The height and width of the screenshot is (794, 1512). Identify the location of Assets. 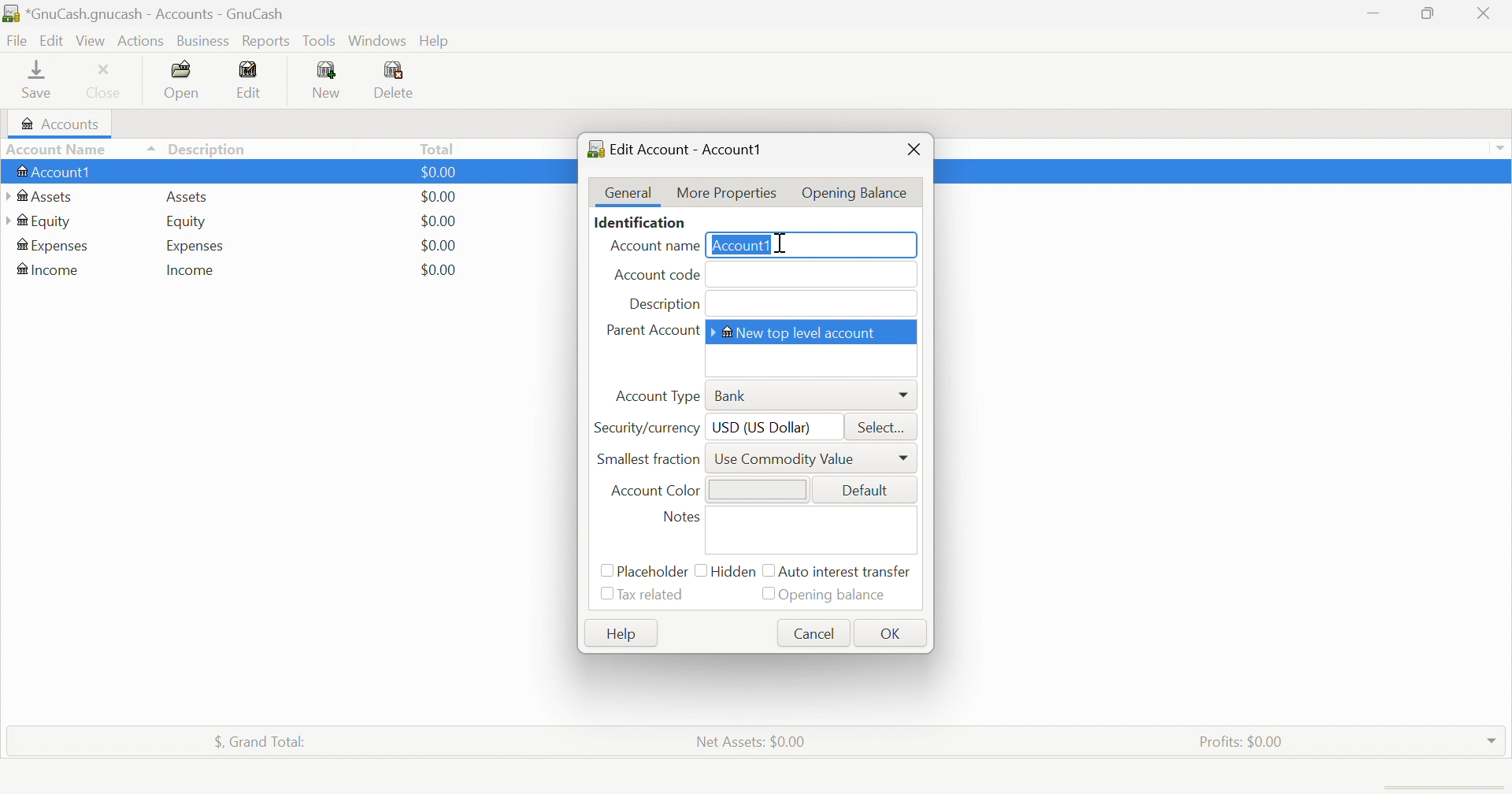
(44, 198).